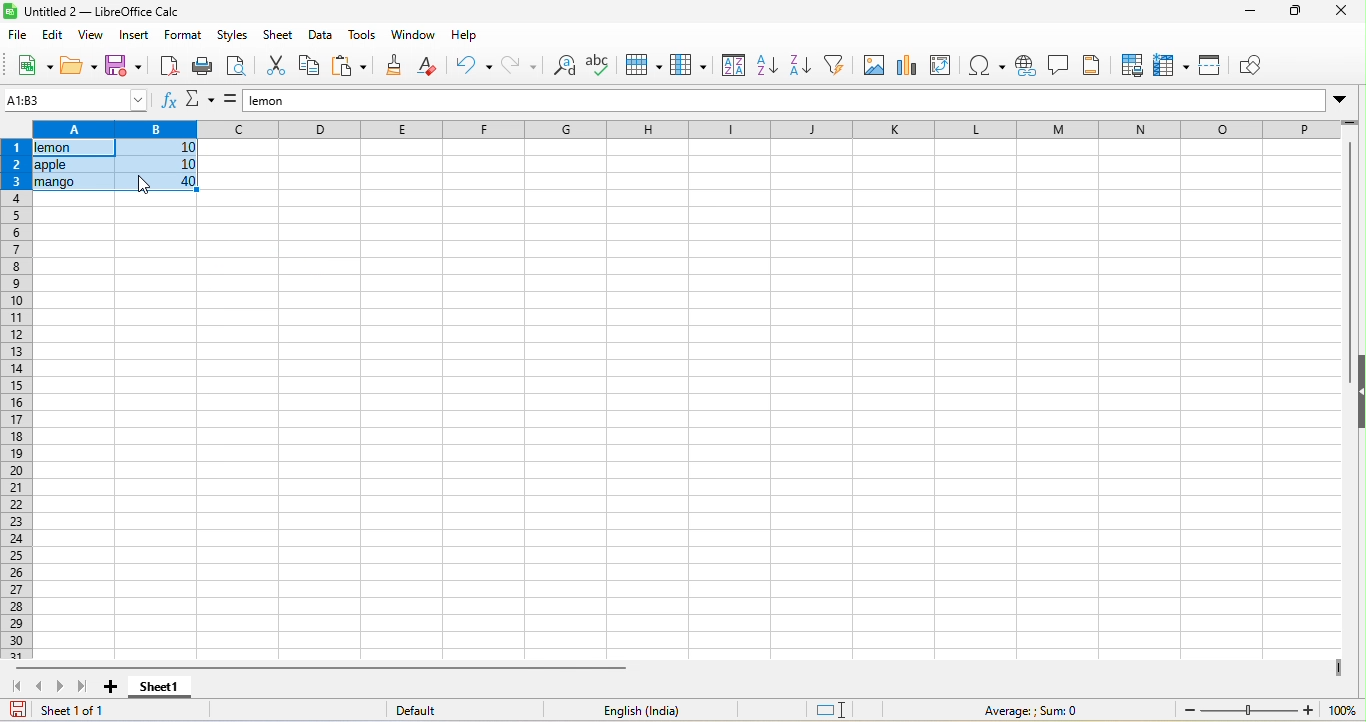 This screenshot has width=1366, height=722. I want to click on print preview, so click(235, 67).